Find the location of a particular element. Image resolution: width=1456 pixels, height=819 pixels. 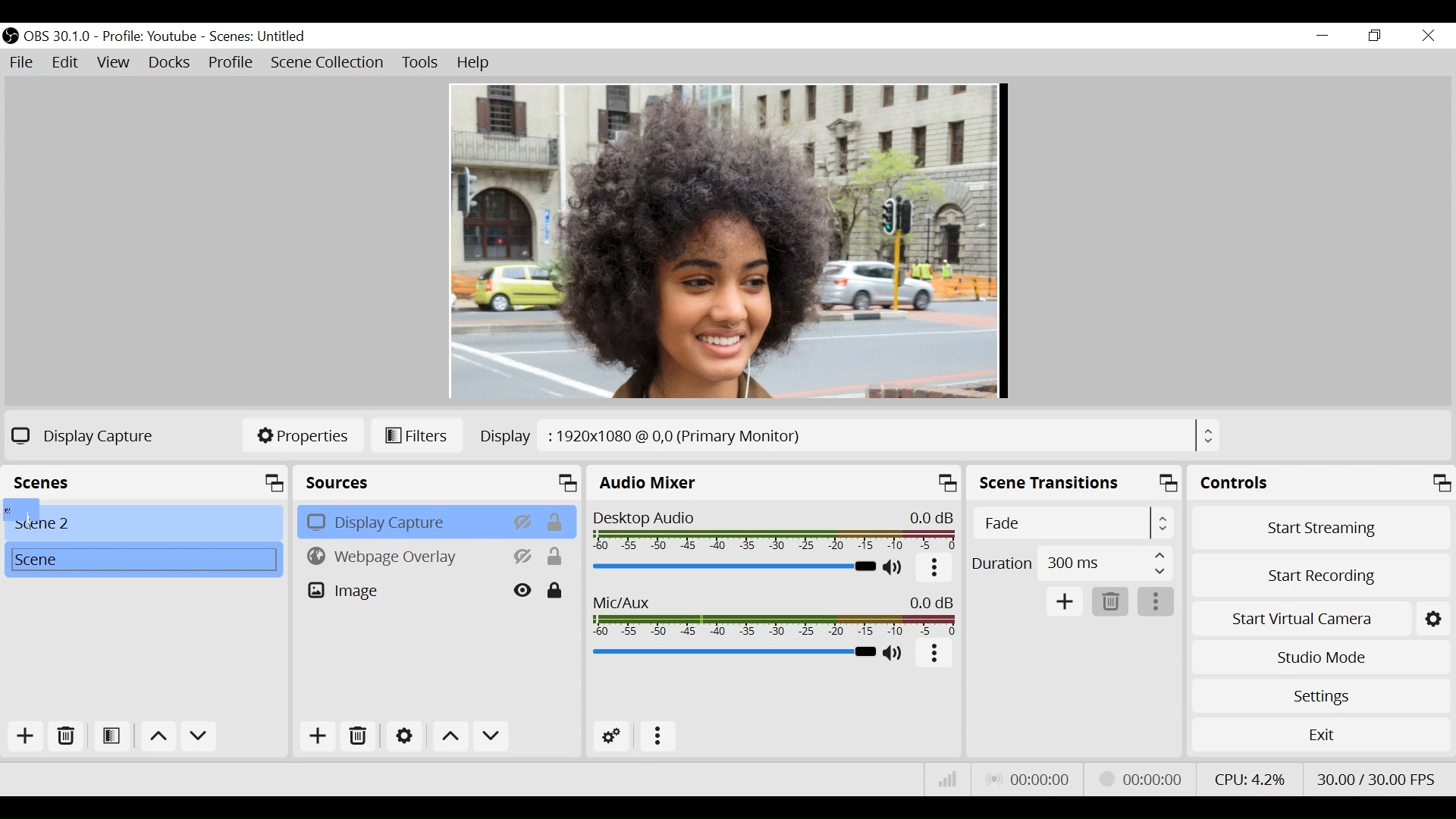

(un)lock is located at coordinates (556, 557).